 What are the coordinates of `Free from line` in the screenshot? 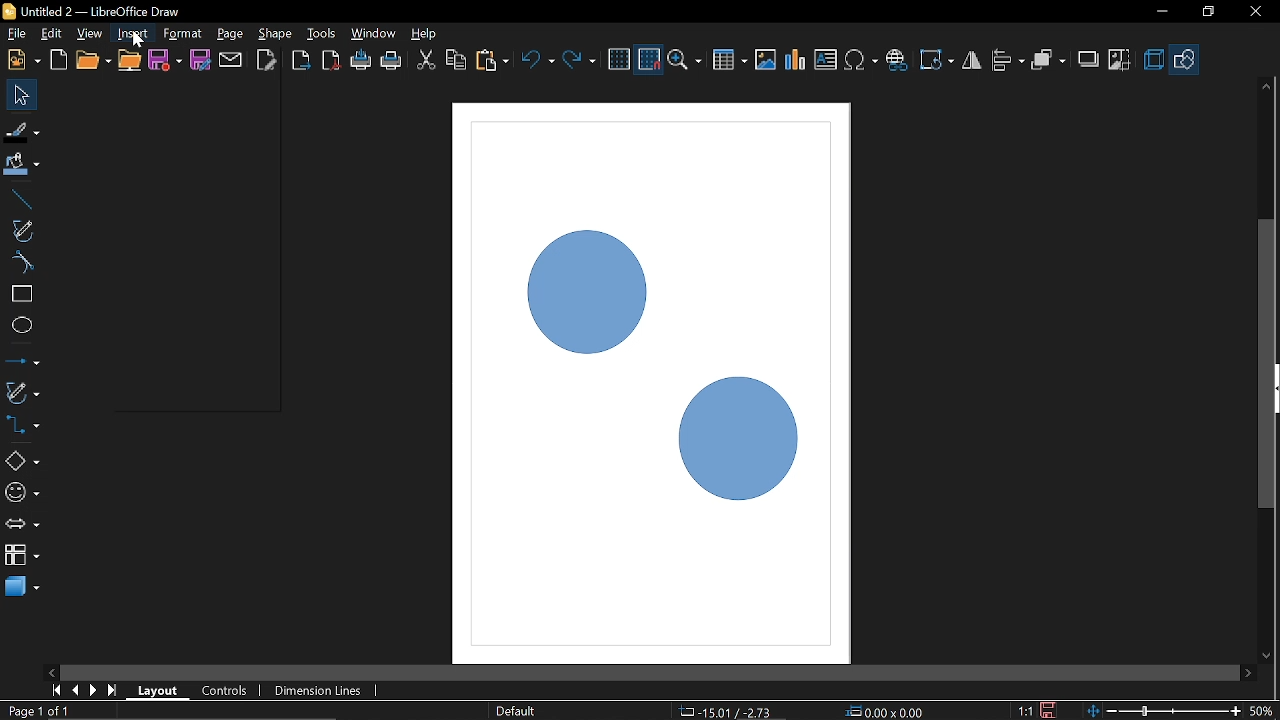 It's located at (22, 230).